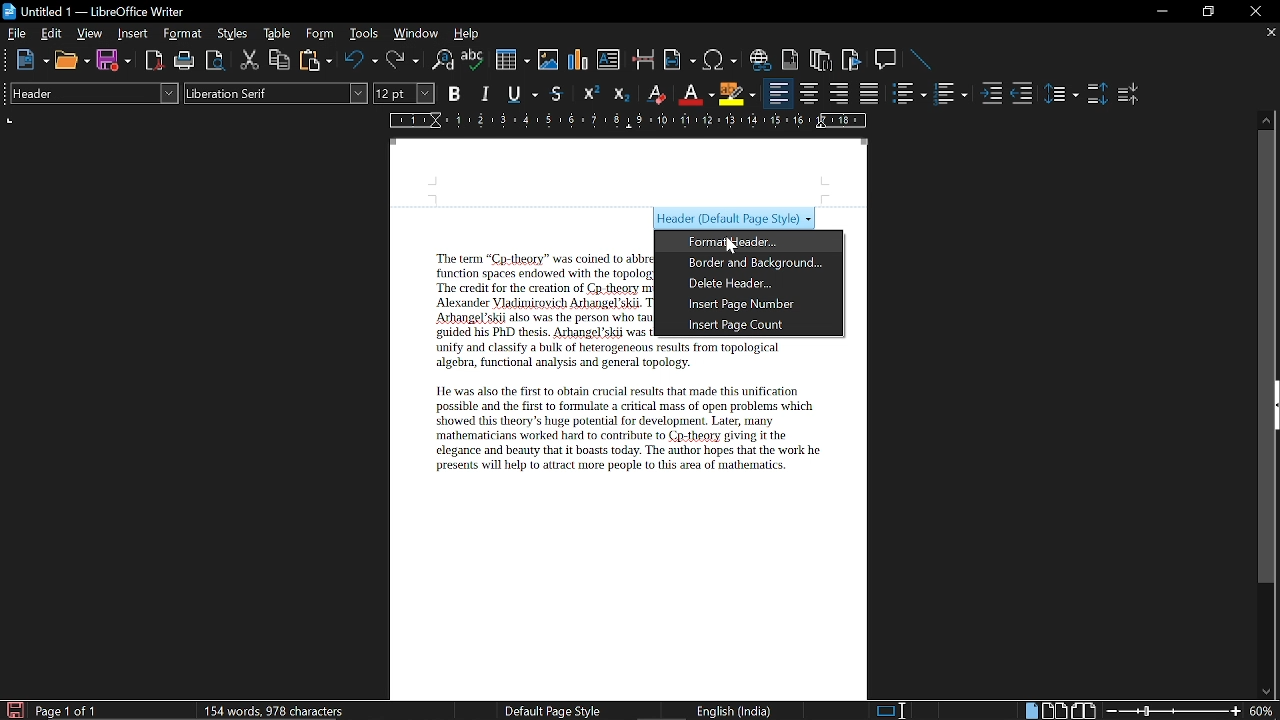 Image resolution: width=1280 pixels, height=720 pixels. I want to click on current page Current page, so click(65, 710).